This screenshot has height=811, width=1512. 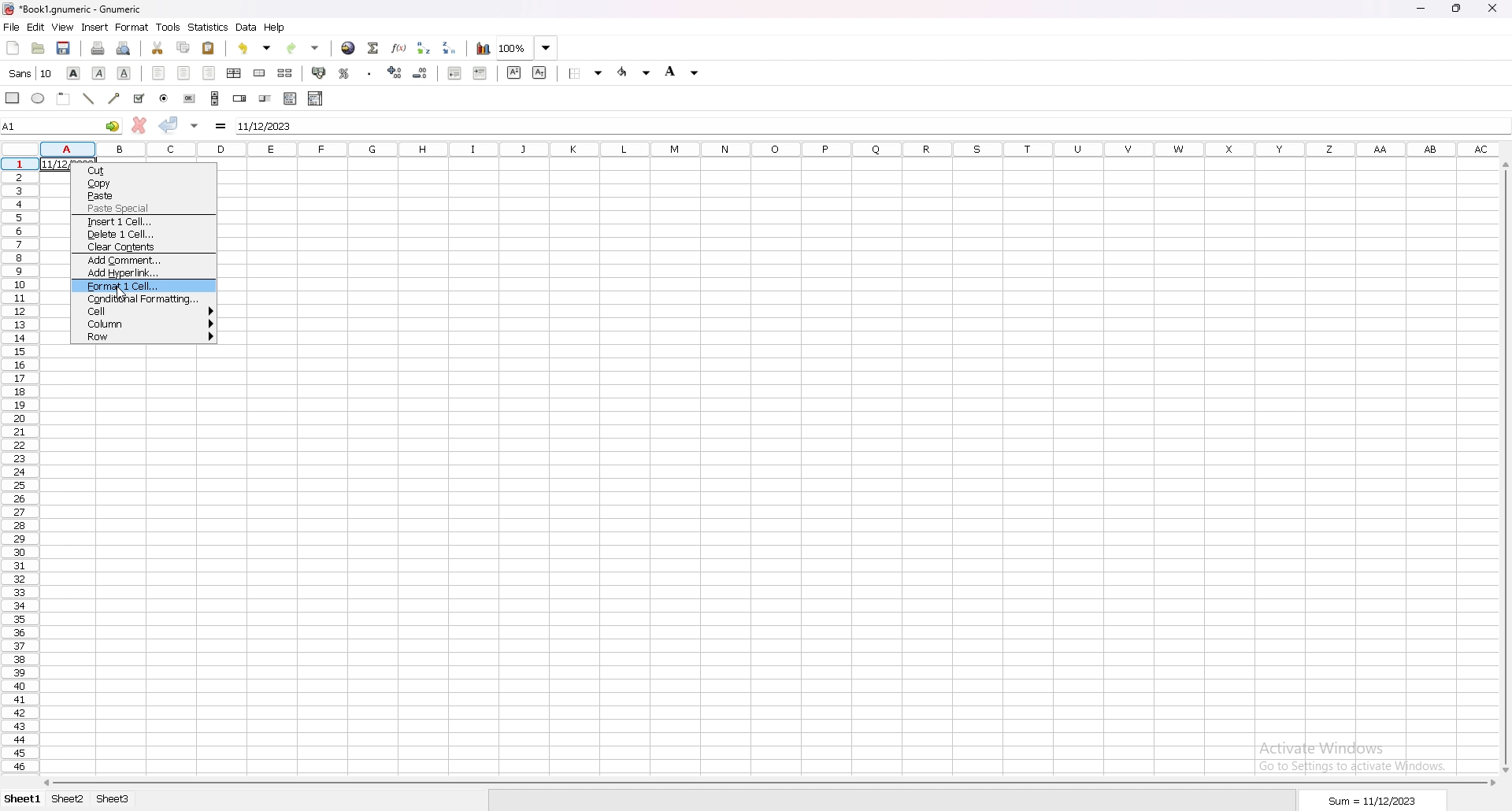 I want to click on accept changes, so click(x=168, y=124).